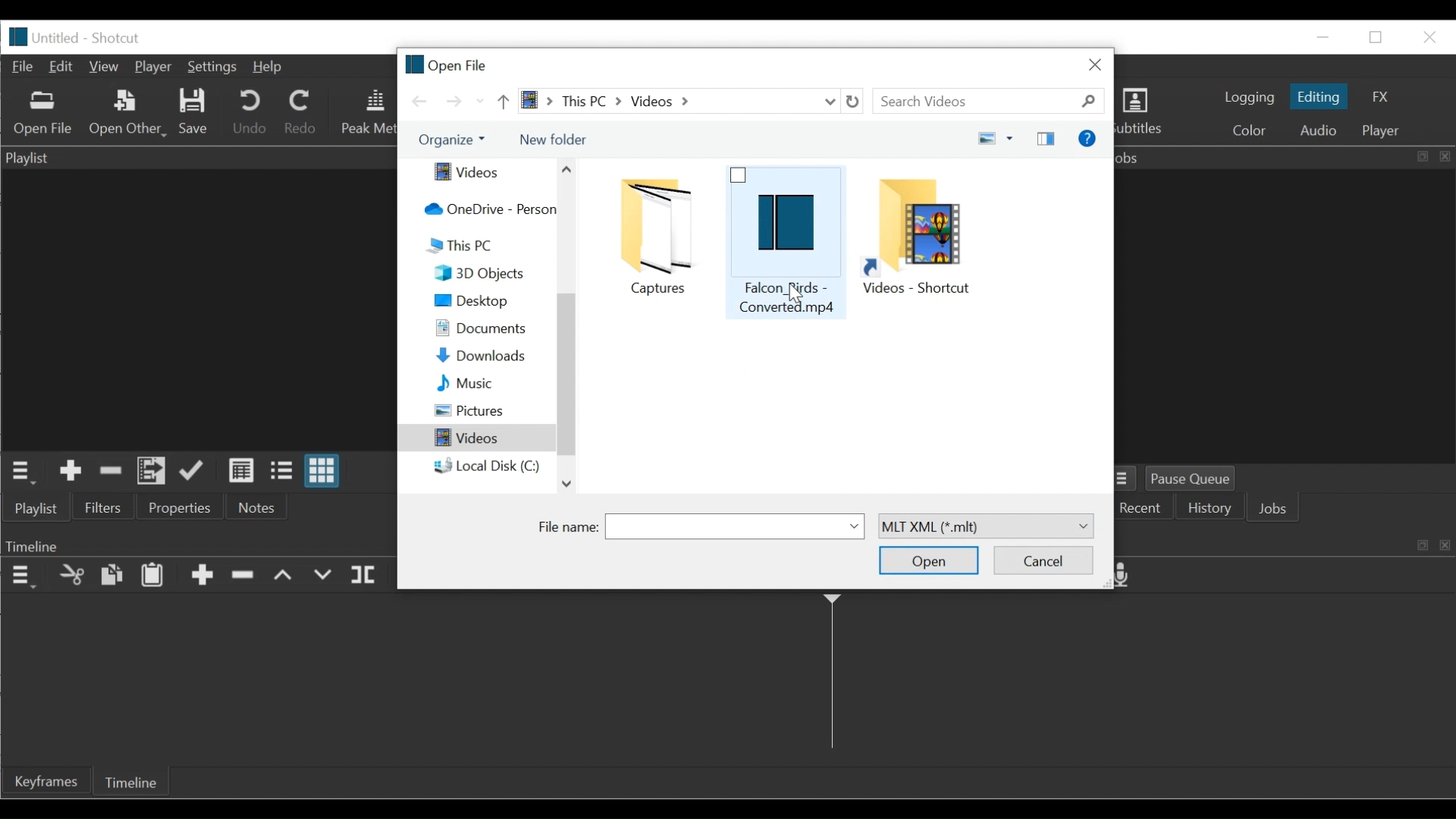  Describe the element at coordinates (666, 101) in the screenshot. I see `> this PC > Videos >` at that location.